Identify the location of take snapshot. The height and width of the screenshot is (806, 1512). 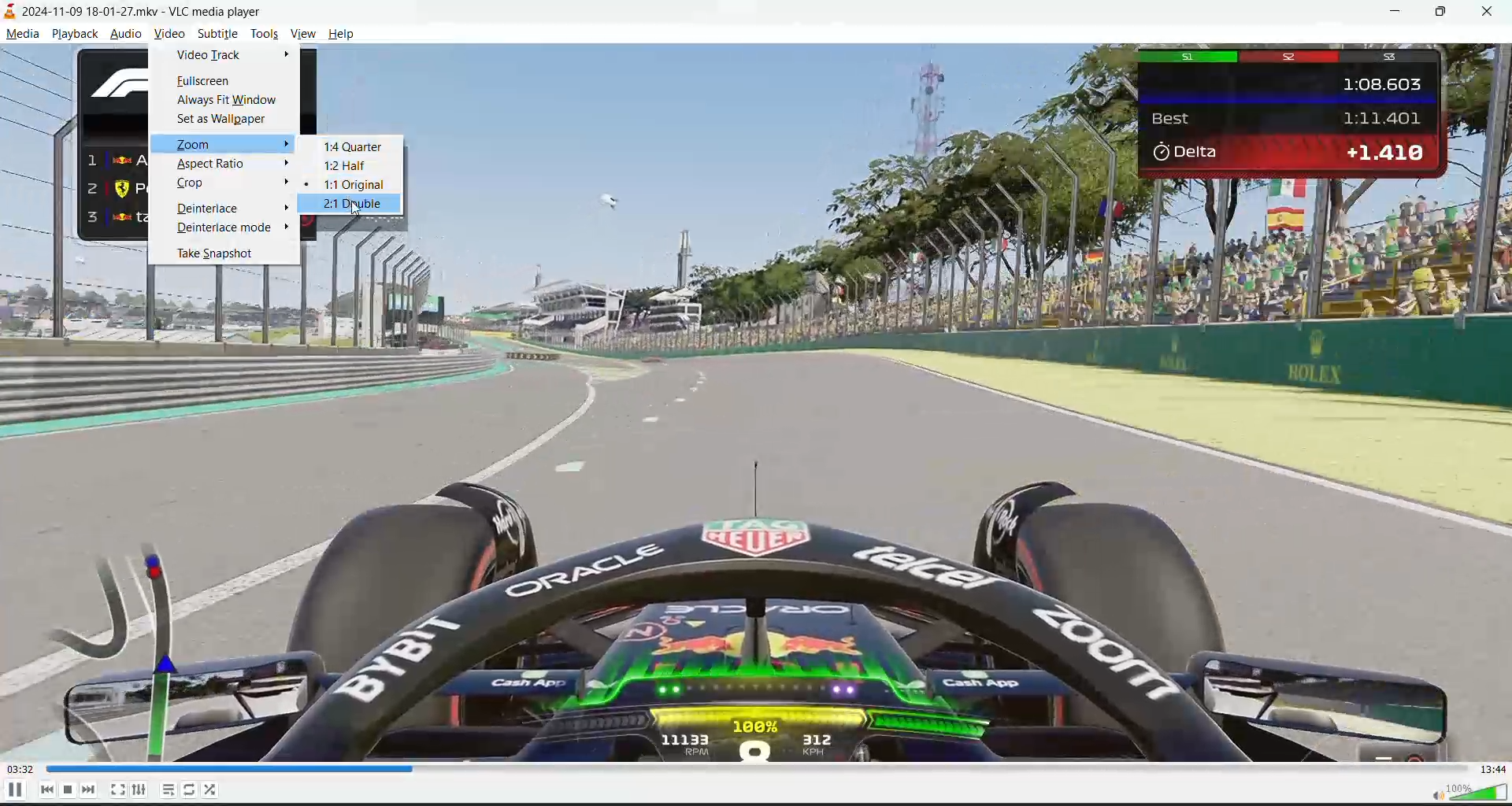
(220, 254).